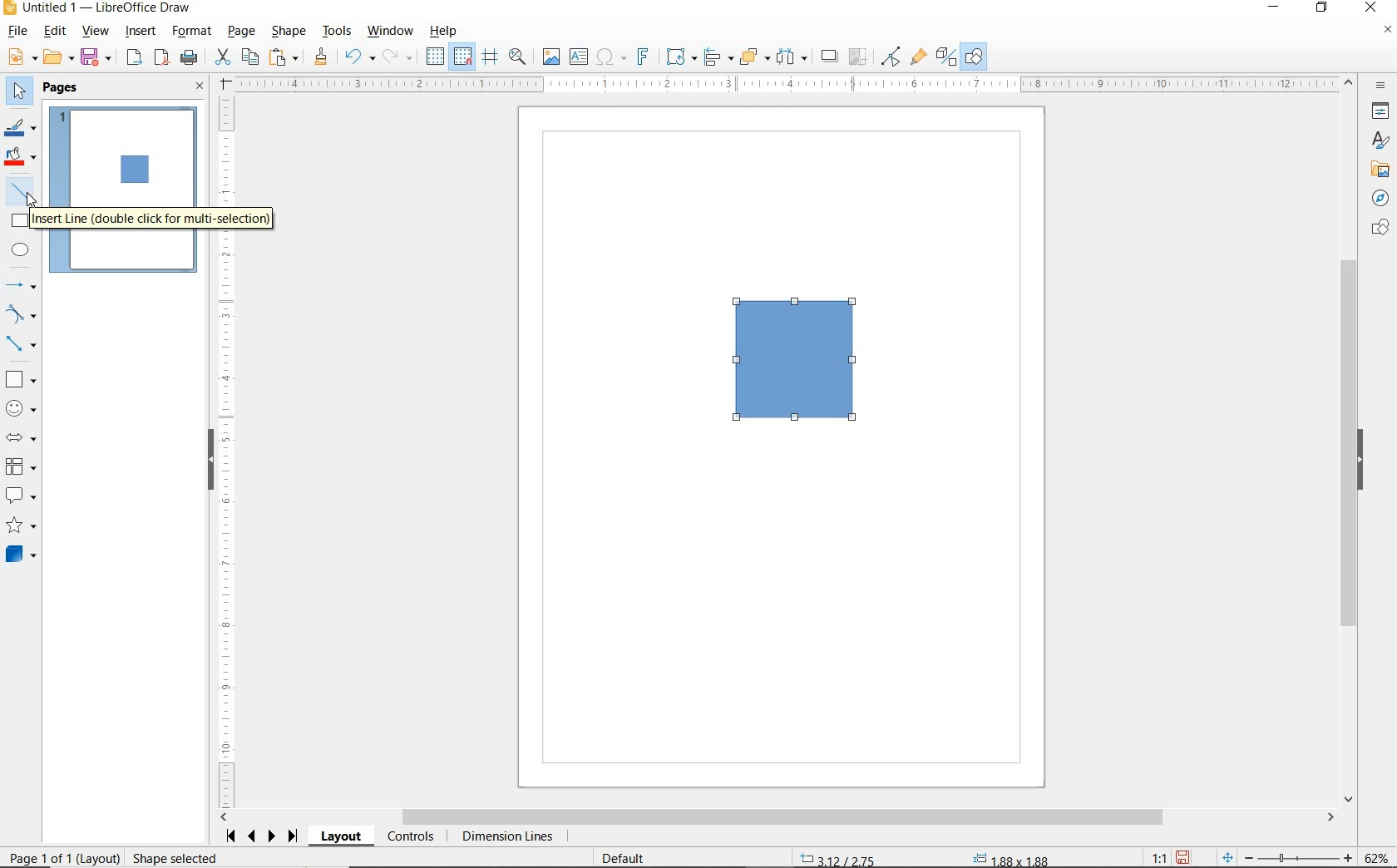 The height and width of the screenshot is (868, 1397). I want to click on TOGGLE EXTRUSION, so click(945, 56).